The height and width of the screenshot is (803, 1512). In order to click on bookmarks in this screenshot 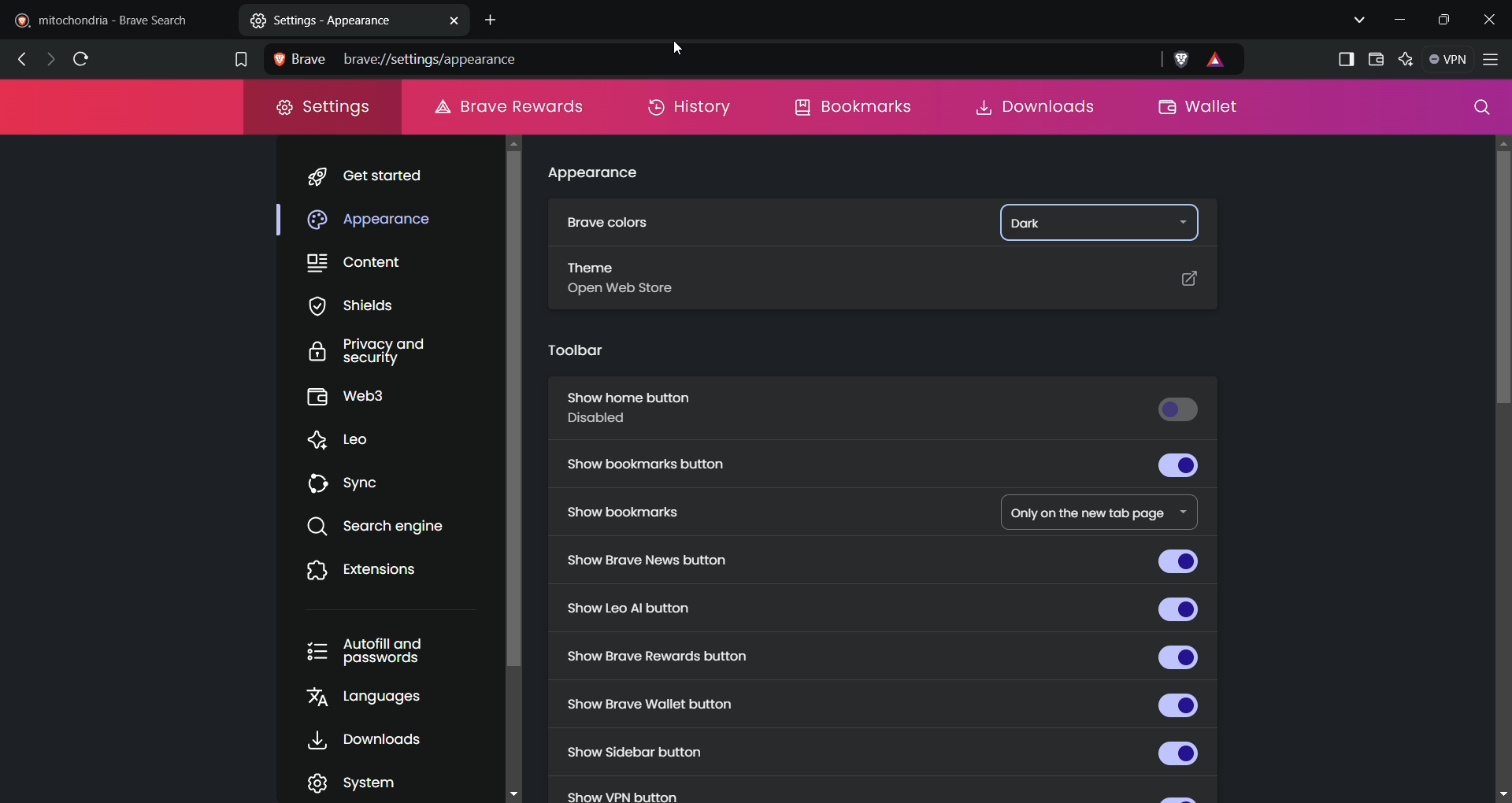, I will do `click(854, 111)`.